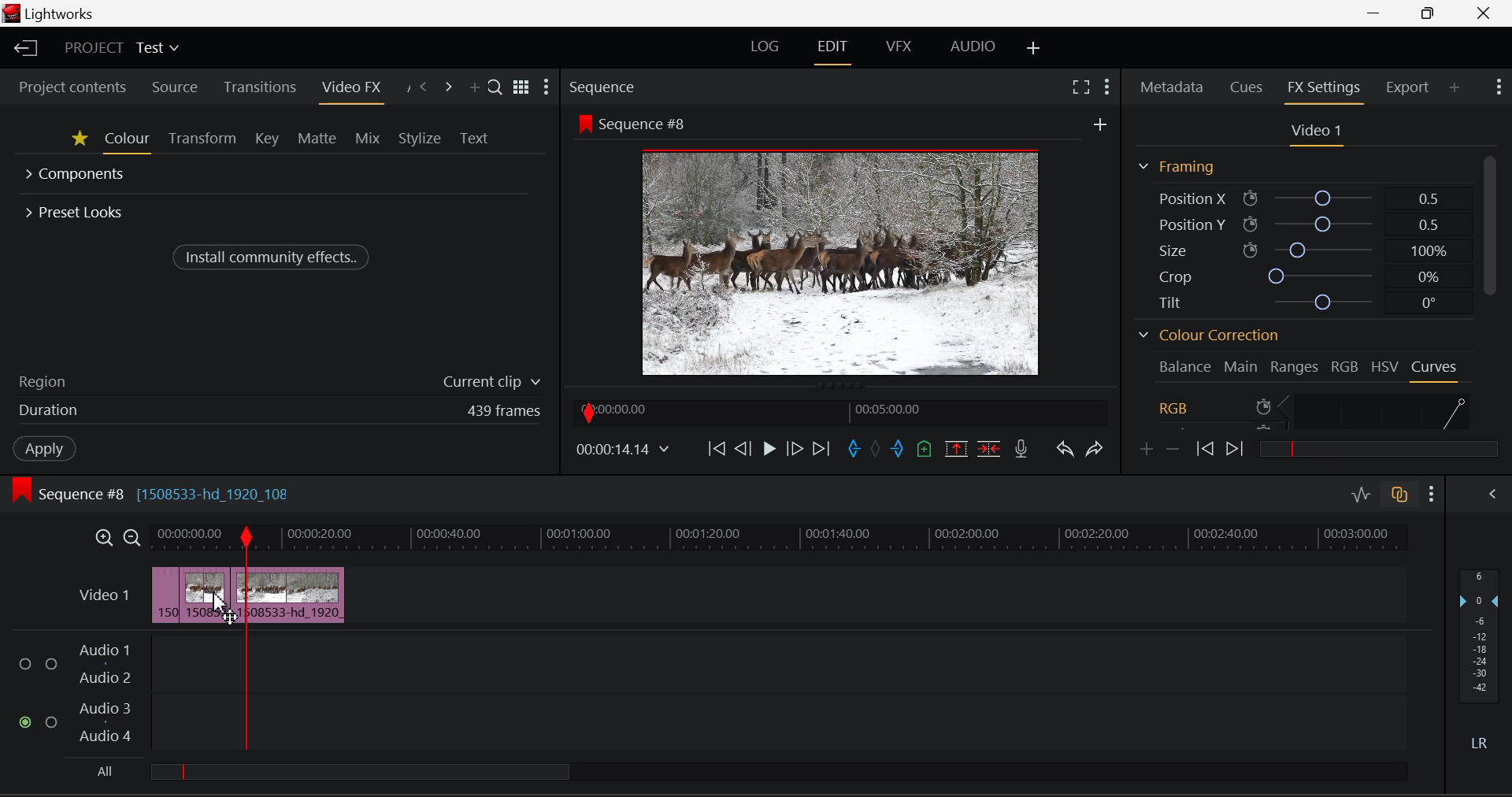 The width and height of the screenshot is (1512, 797). Describe the element at coordinates (1432, 495) in the screenshot. I see `show Settings` at that location.